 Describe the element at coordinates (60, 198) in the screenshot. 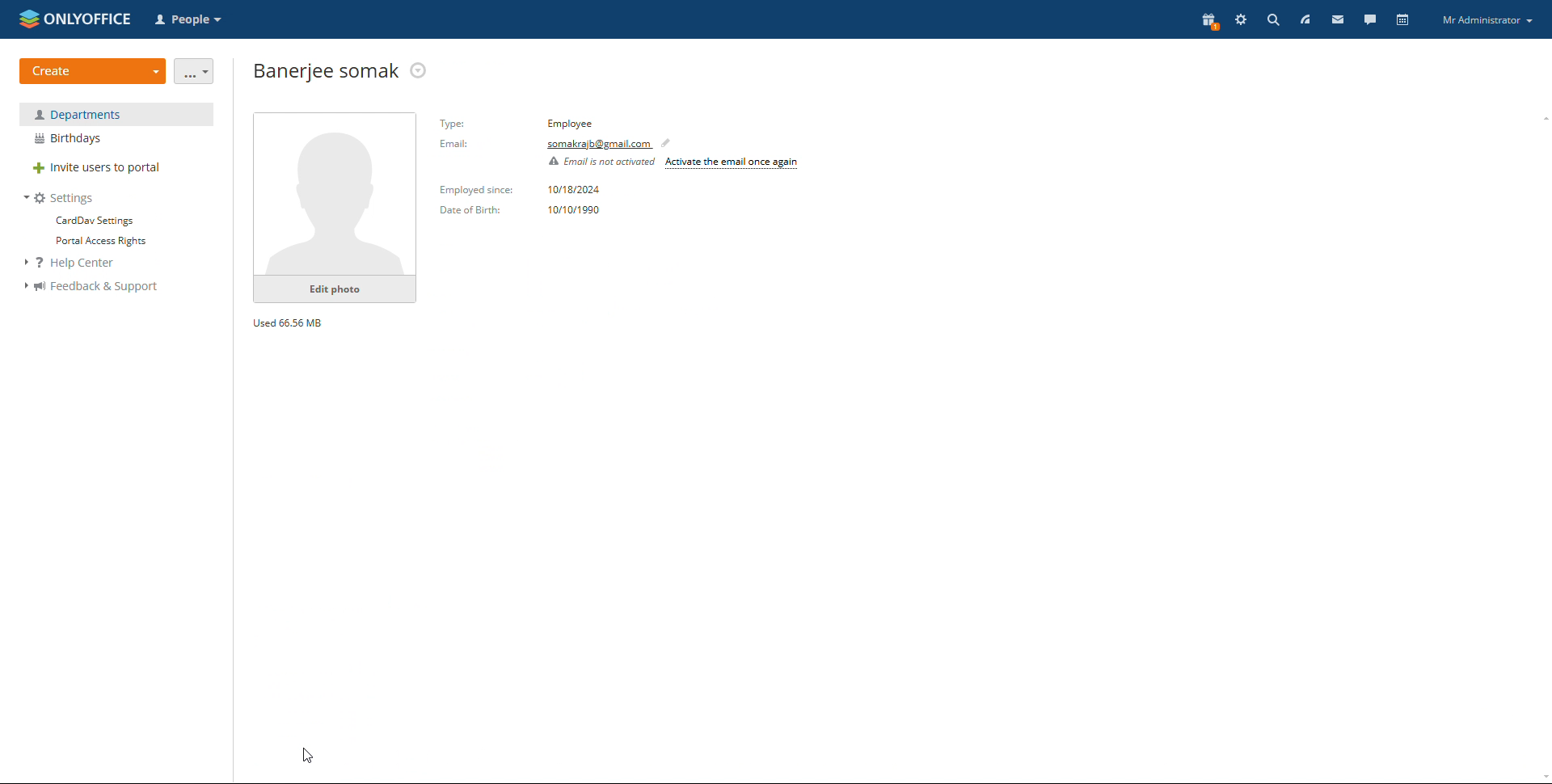

I see `settings` at that location.